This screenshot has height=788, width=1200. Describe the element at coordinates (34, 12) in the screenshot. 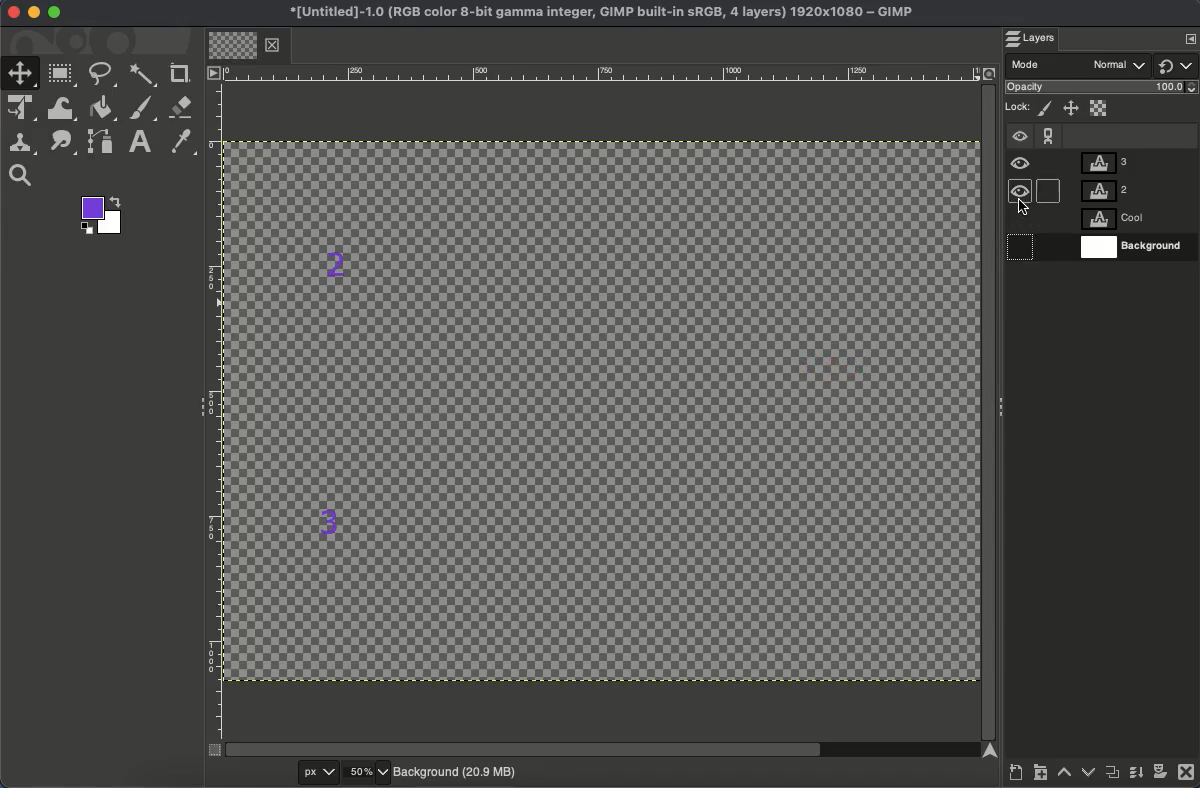

I see `Minimize` at that location.